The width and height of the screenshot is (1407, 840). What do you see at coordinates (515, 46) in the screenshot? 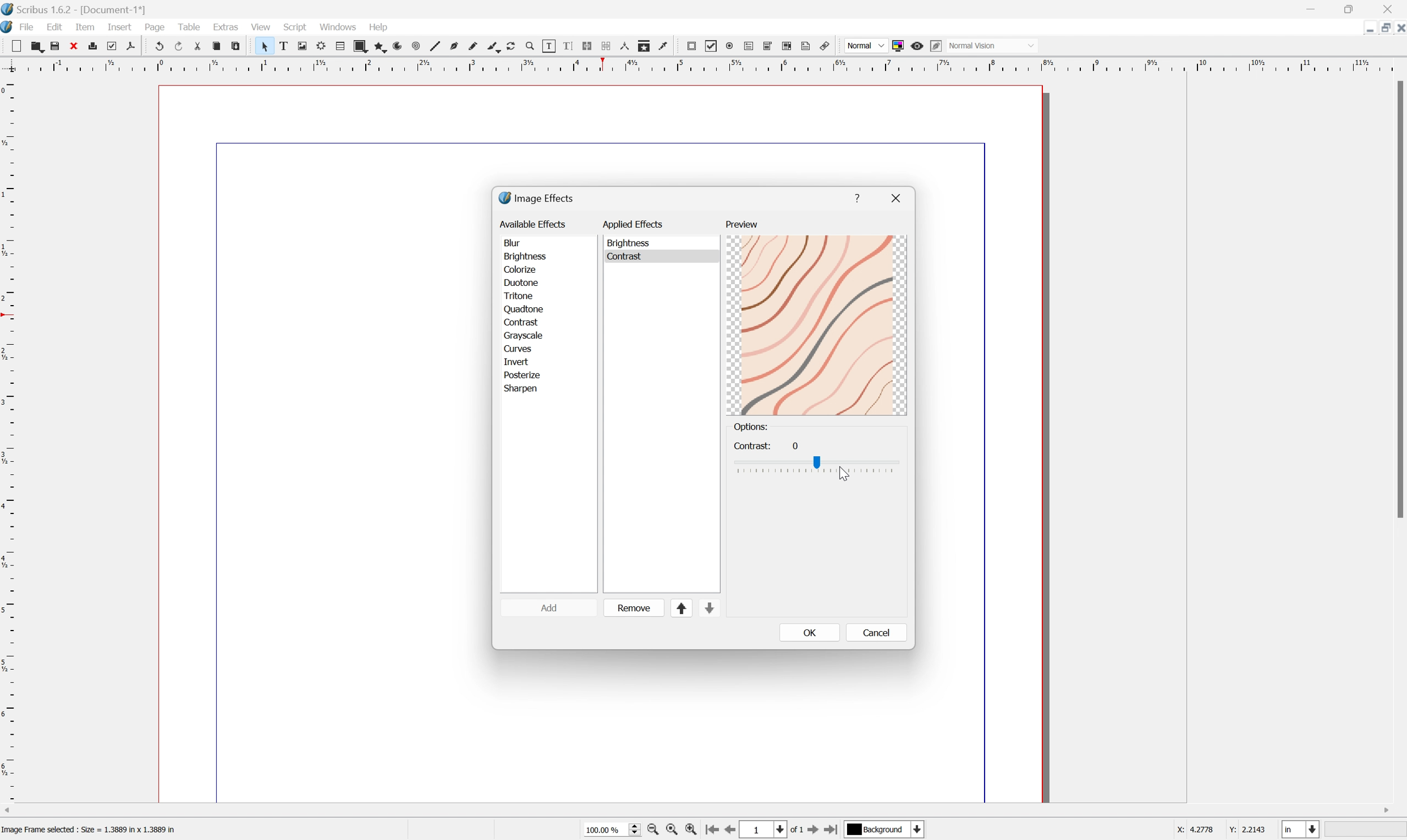
I see `Rotate item` at bounding box center [515, 46].